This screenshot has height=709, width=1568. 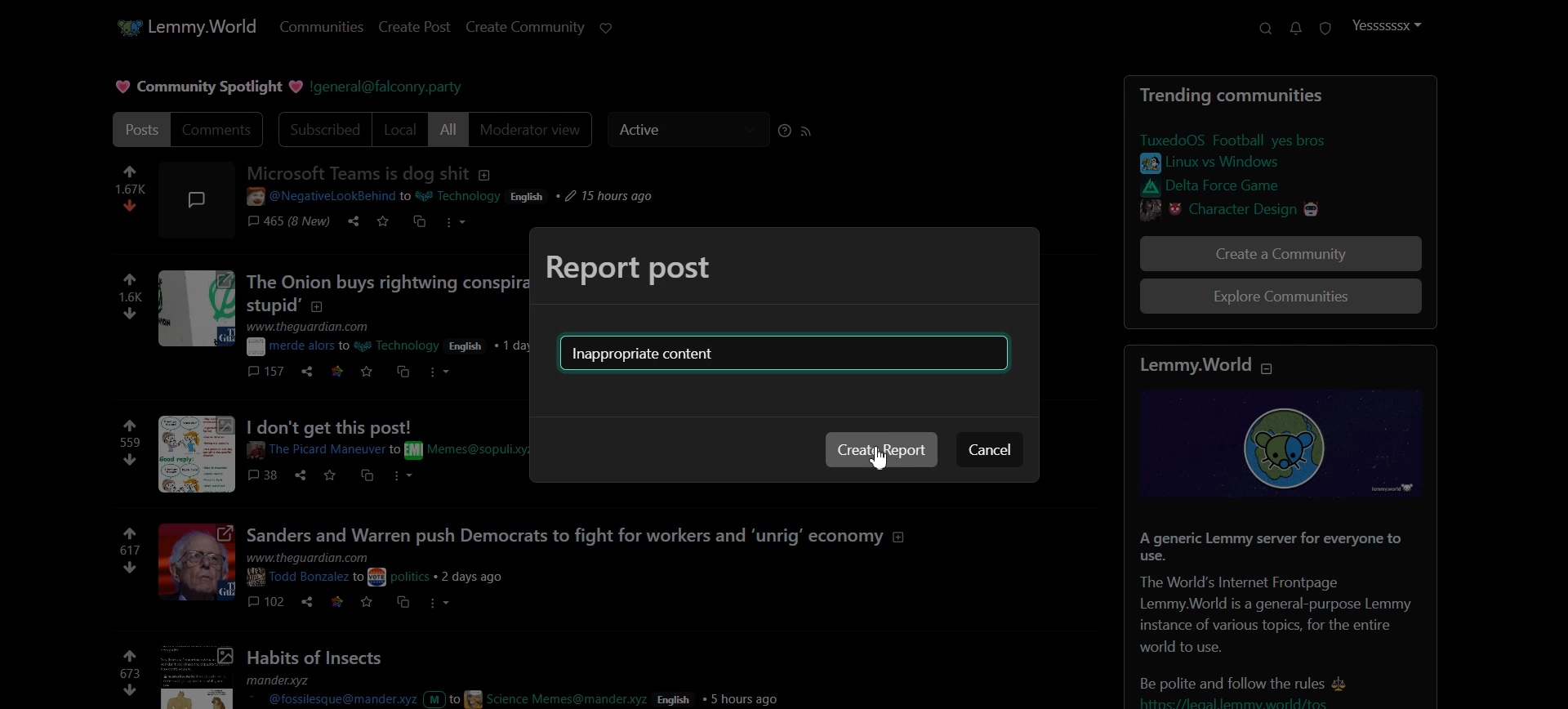 What do you see at coordinates (355, 222) in the screenshot?
I see `share` at bounding box center [355, 222].